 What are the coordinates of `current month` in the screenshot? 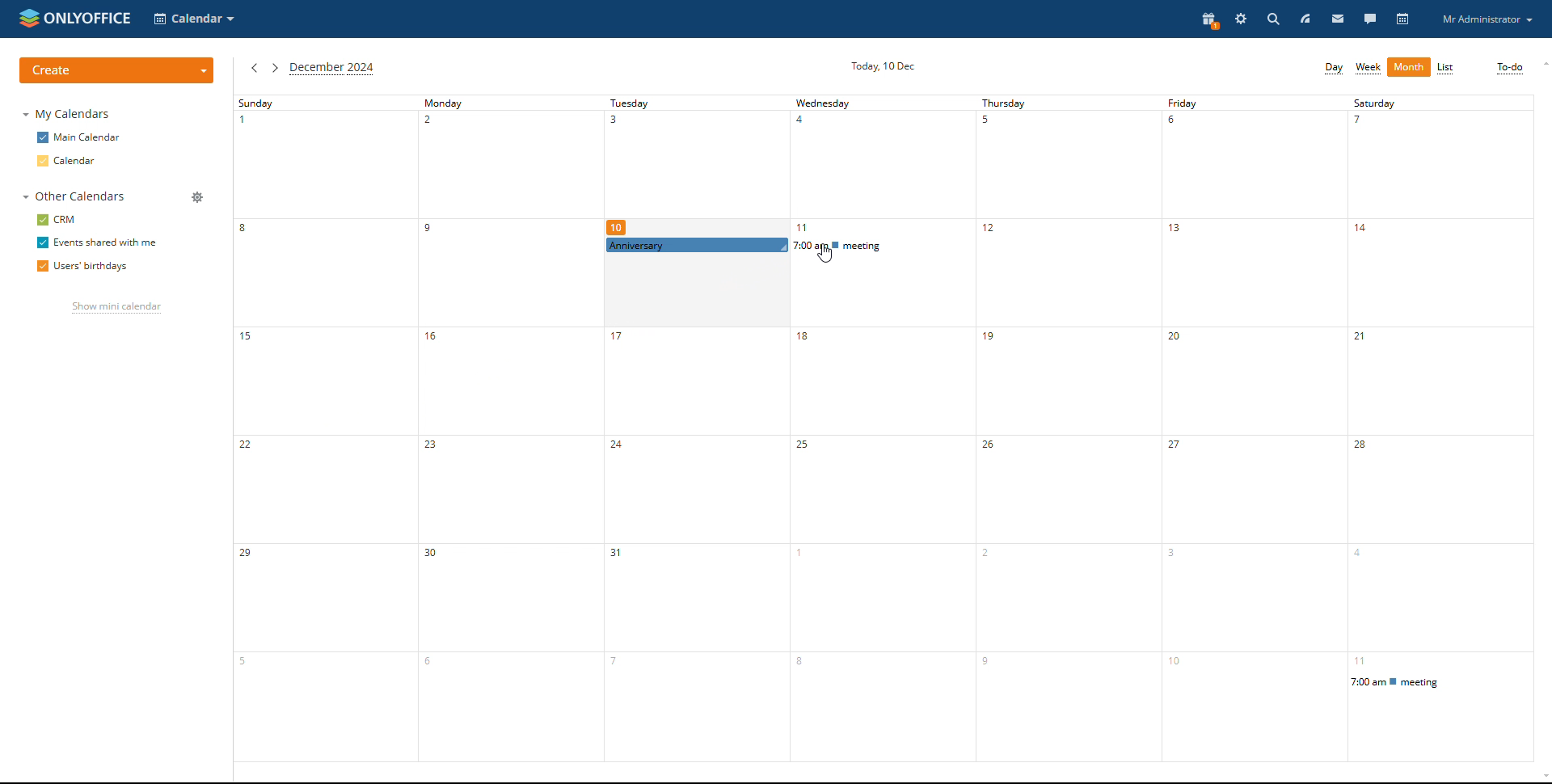 It's located at (334, 70).